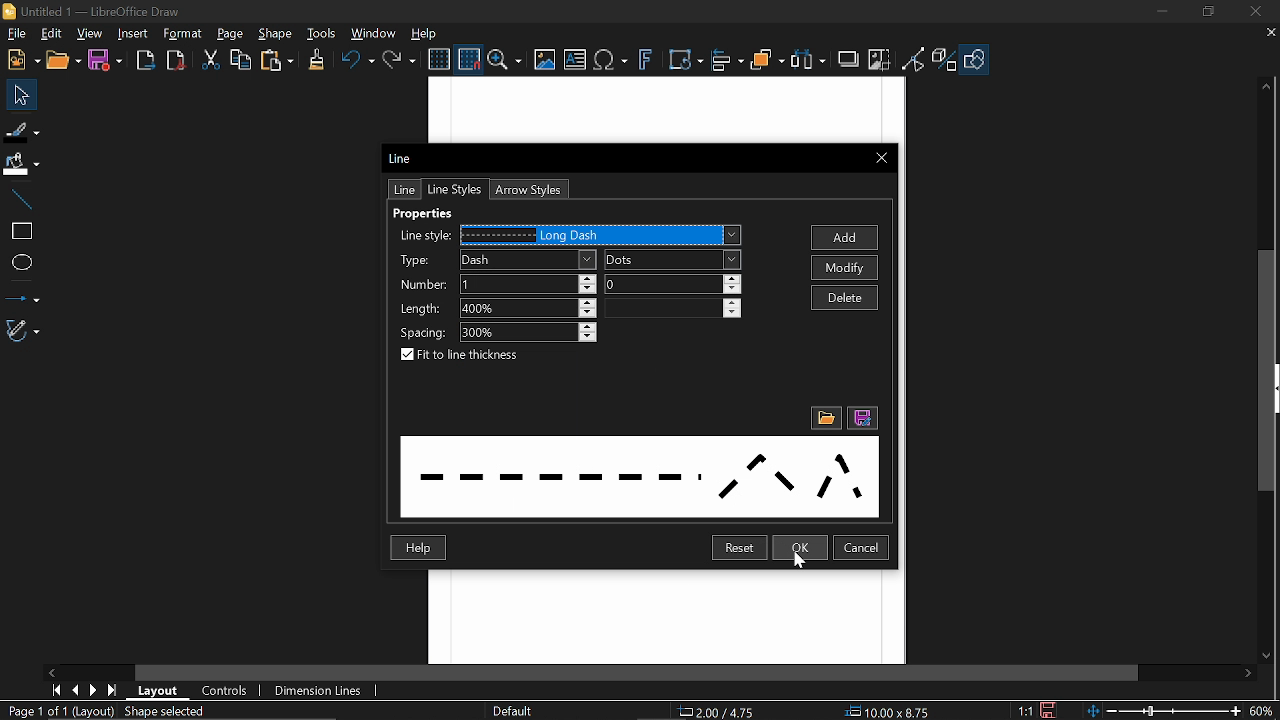 This screenshot has width=1280, height=720. What do you see at coordinates (95, 12) in the screenshot?
I see `Current window` at bounding box center [95, 12].